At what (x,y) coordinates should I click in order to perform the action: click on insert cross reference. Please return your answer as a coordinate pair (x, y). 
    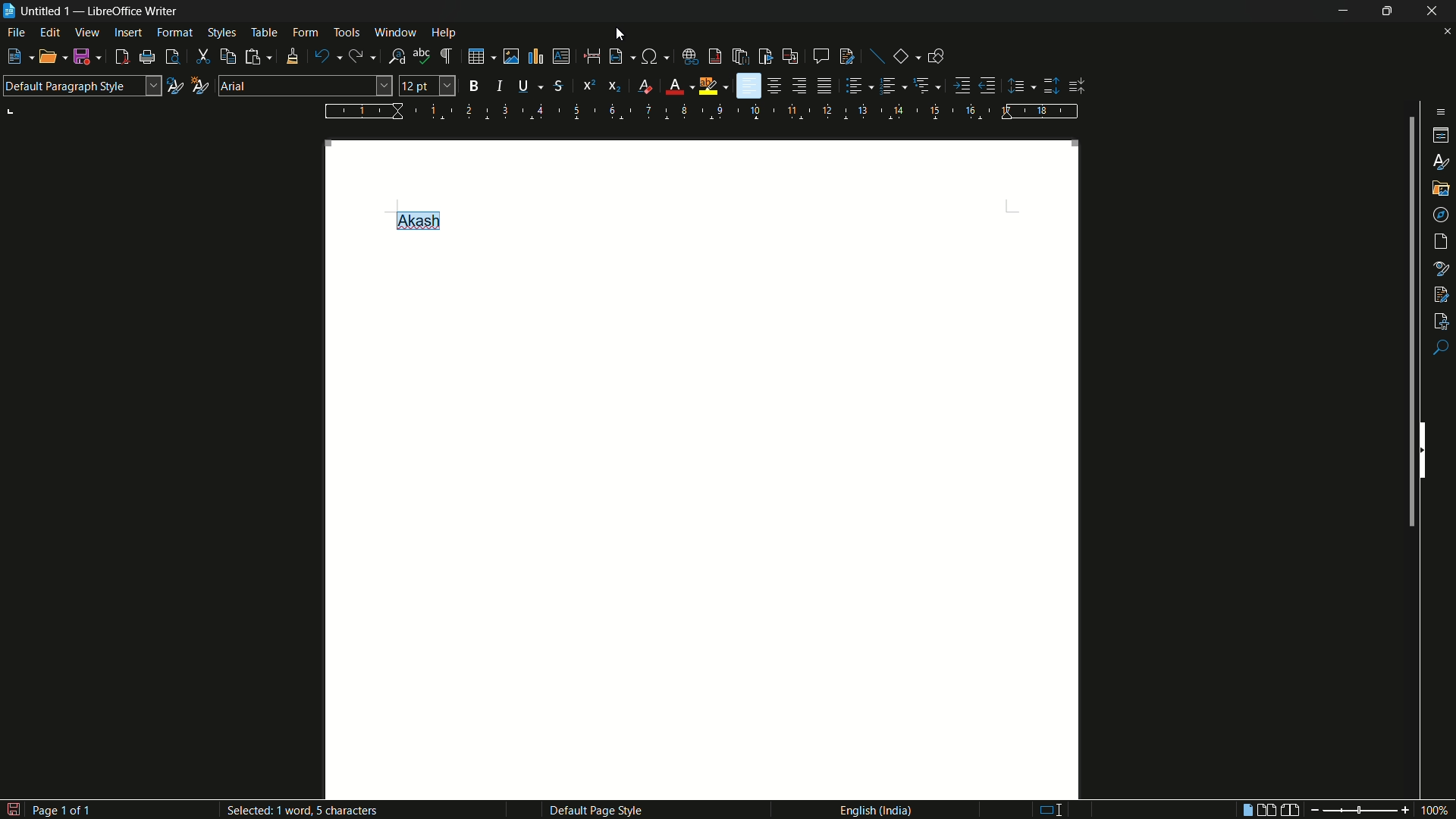
    Looking at the image, I should click on (789, 57).